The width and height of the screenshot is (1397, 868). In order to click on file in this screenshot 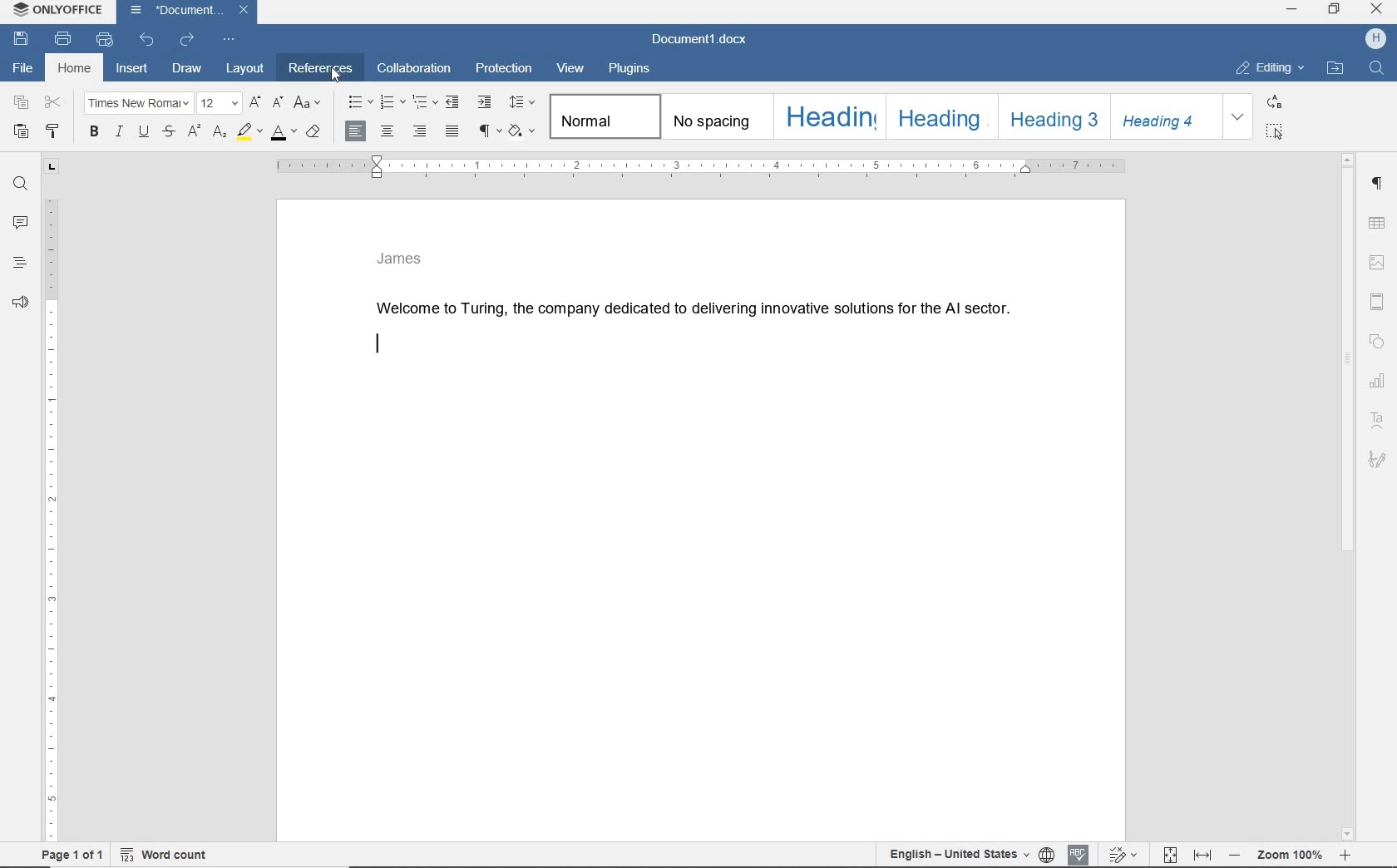, I will do `click(23, 68)`.